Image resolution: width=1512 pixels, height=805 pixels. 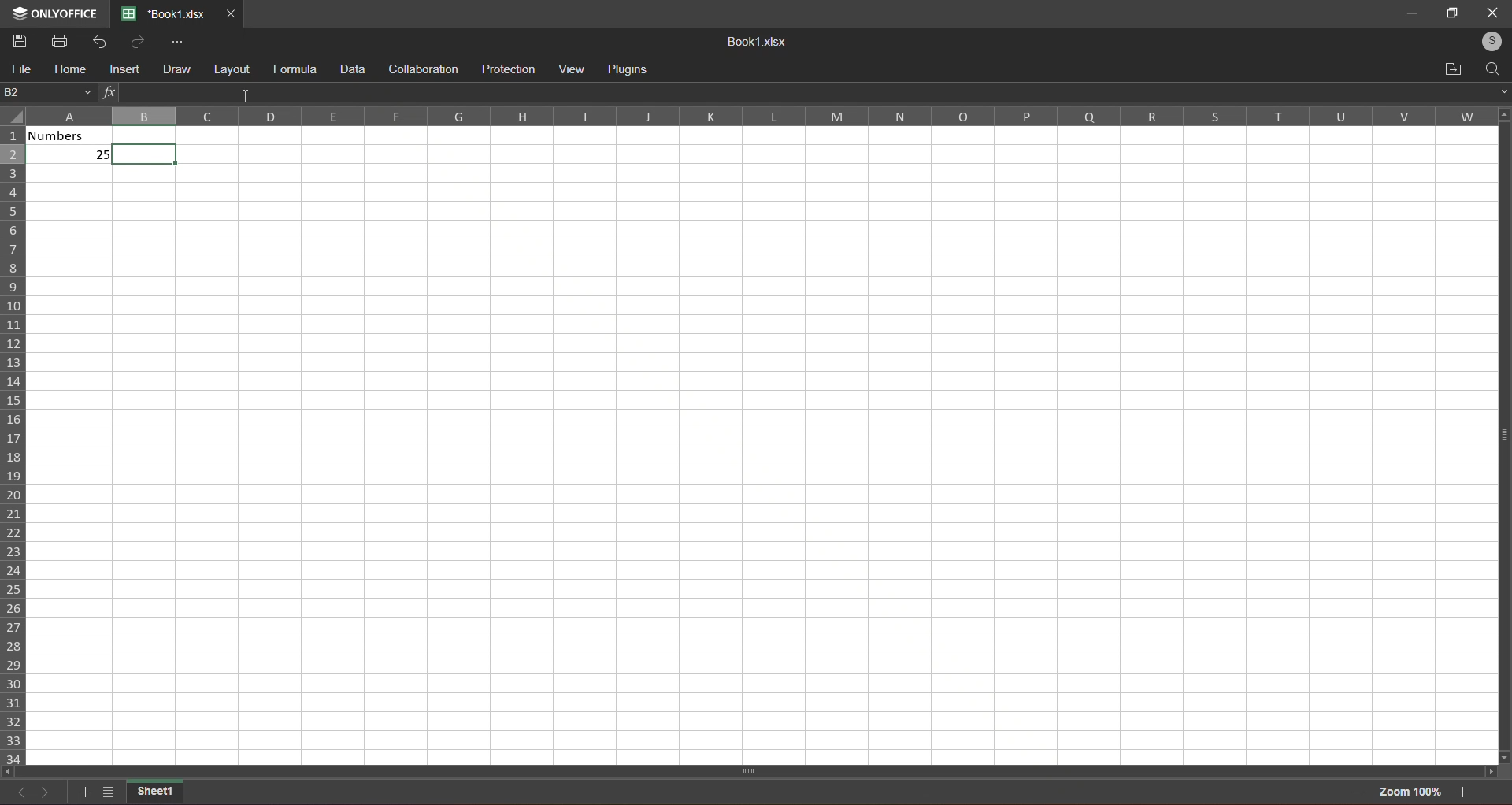 What do you see at coordinates (1451, 13) in the screenshot?
I see `maximize` at bounding box center [1451, 13].